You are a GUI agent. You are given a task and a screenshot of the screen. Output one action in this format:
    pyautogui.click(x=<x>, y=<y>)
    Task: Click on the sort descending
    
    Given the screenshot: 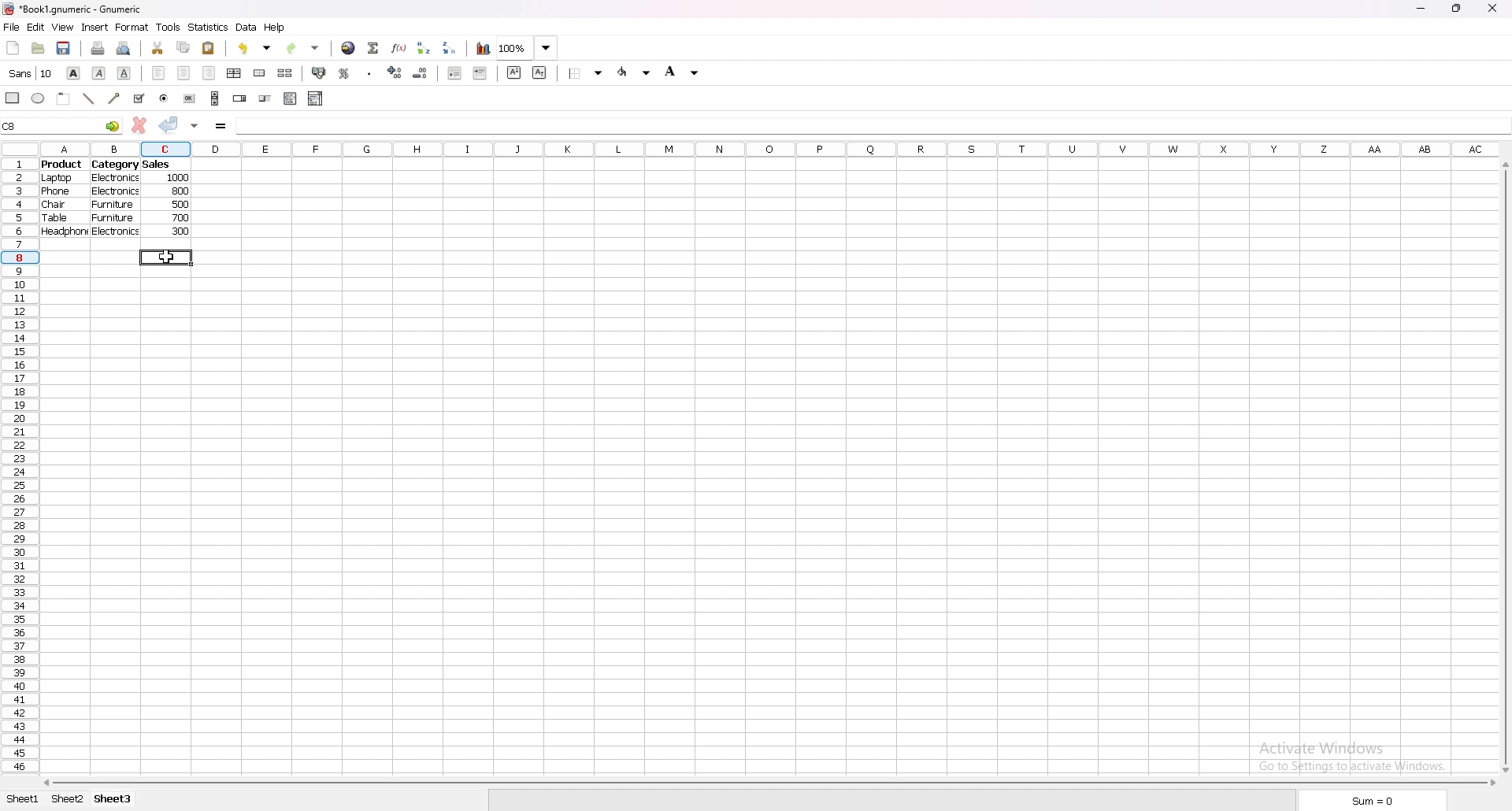 What is the action you would take?
    pyautogui.click(x=449, y=47)
    